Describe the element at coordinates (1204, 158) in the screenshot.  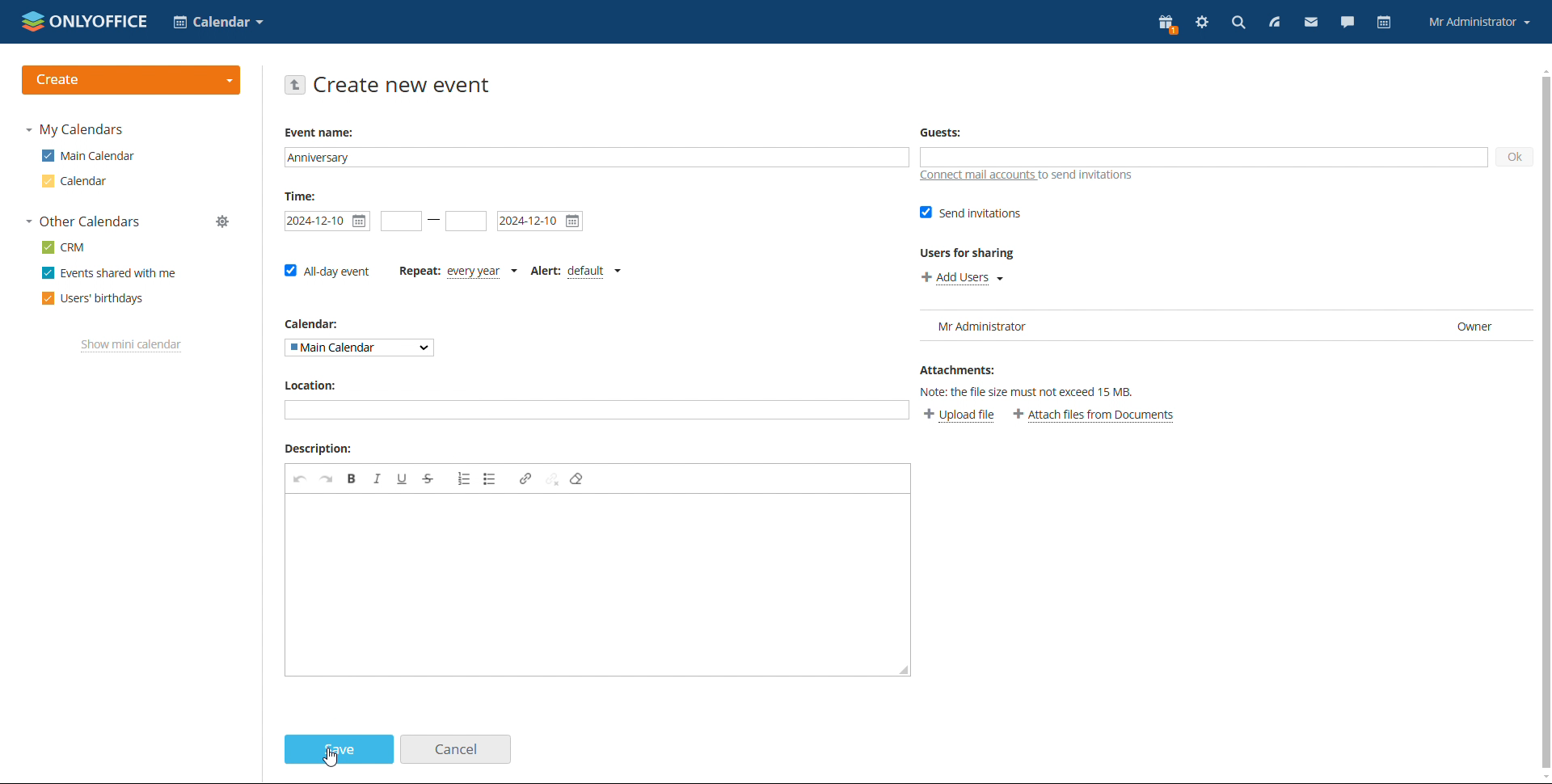
I see `add guests` at that location.